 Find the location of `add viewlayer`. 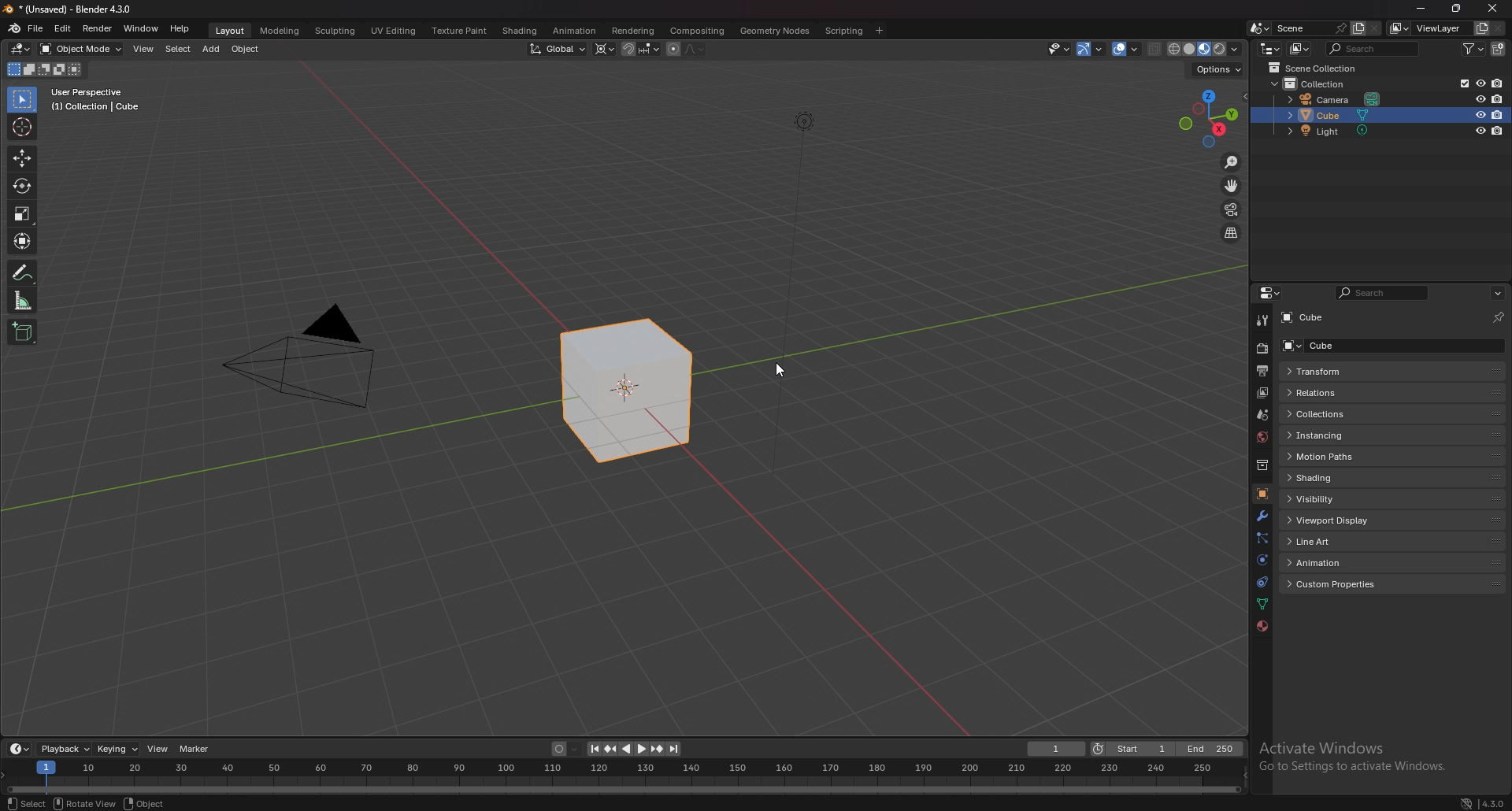

add viewlayer is located at coordinates (1480, 28).